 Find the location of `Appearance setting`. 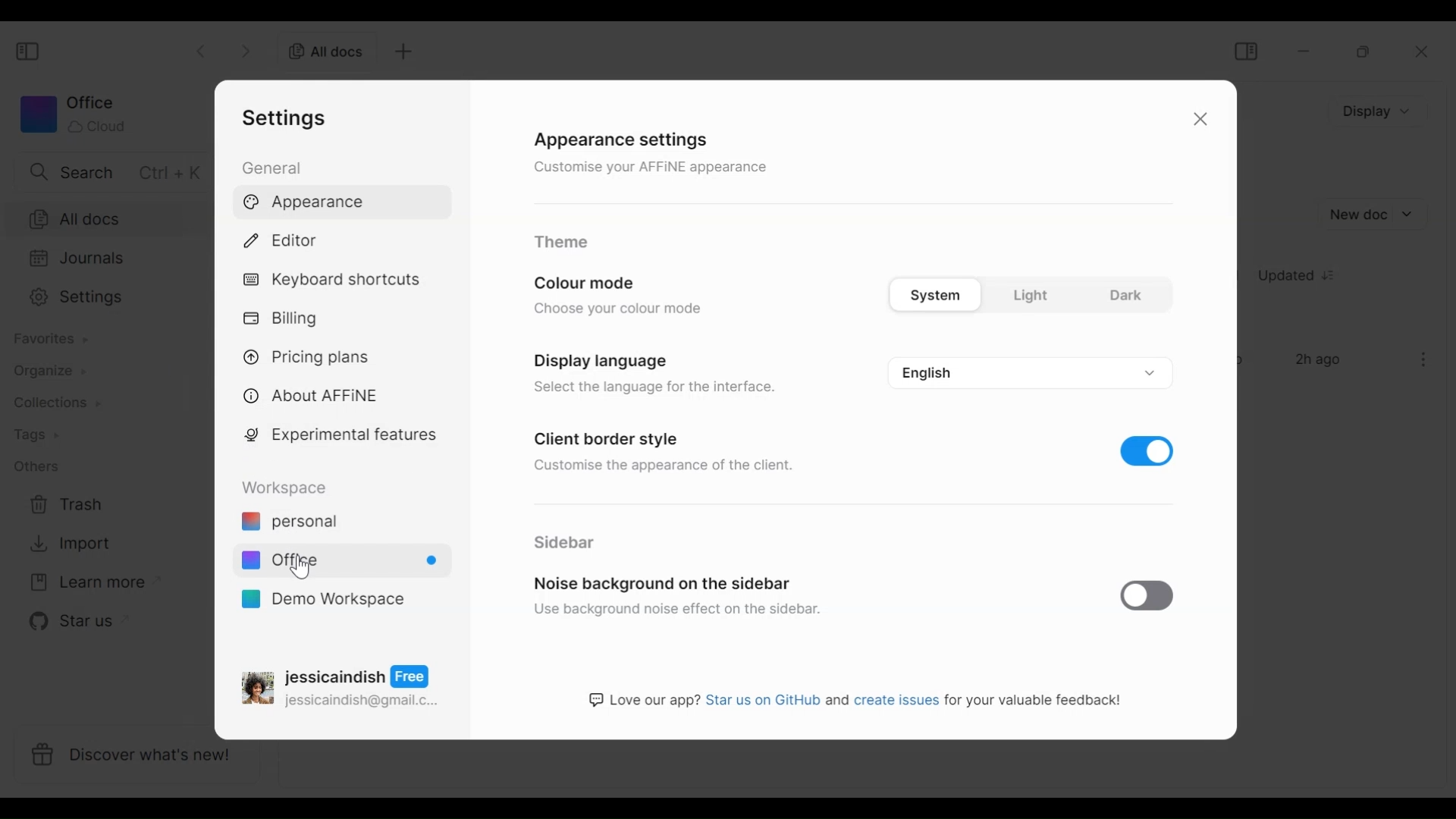

Appearance setting is located at coordinates (634, 136).